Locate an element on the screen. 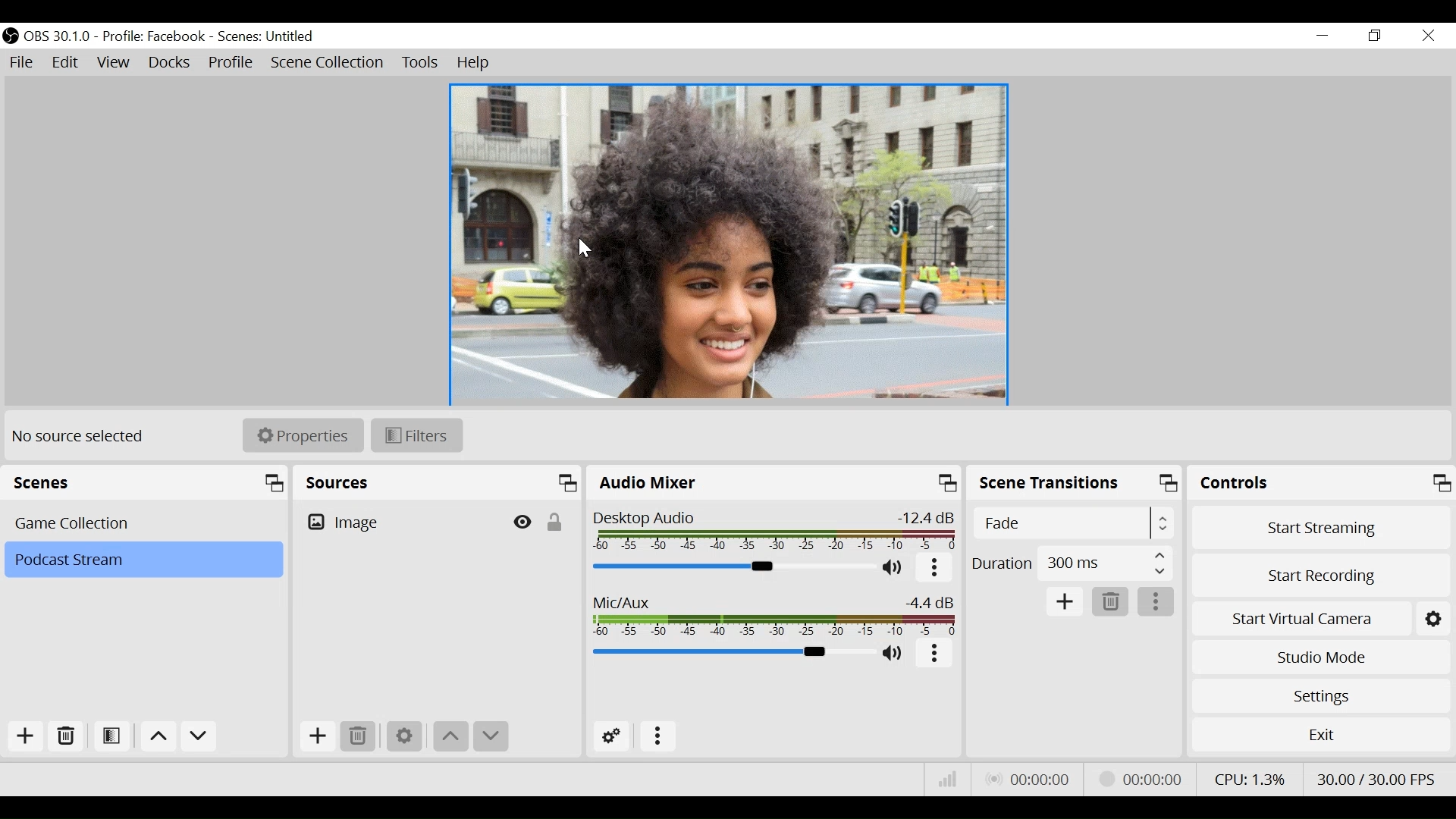 The width and height of the screenshot is (1456, 819). Move up is located at coordinates (158, 739).